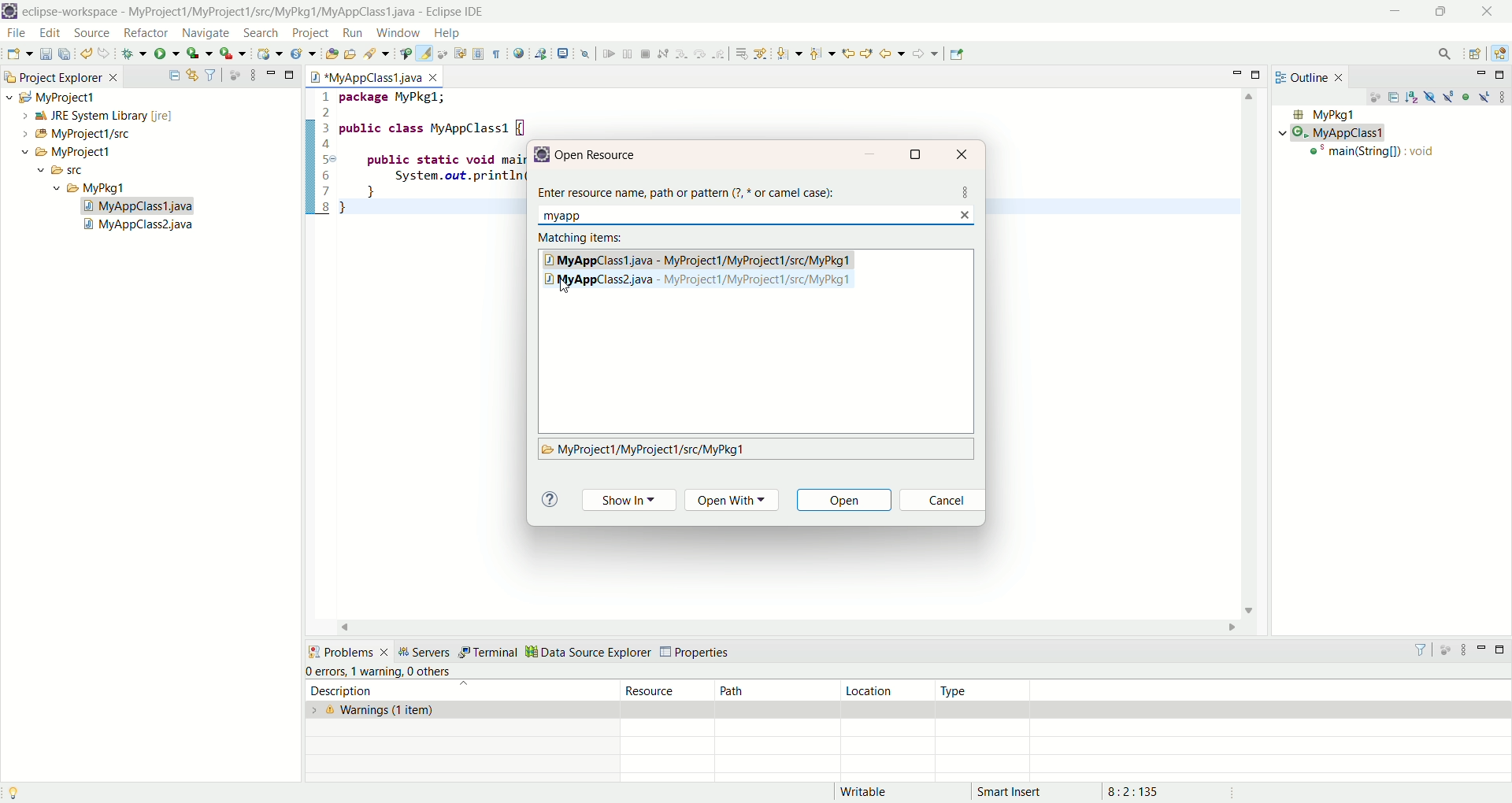  I want to click on project1, so click(57, 152).